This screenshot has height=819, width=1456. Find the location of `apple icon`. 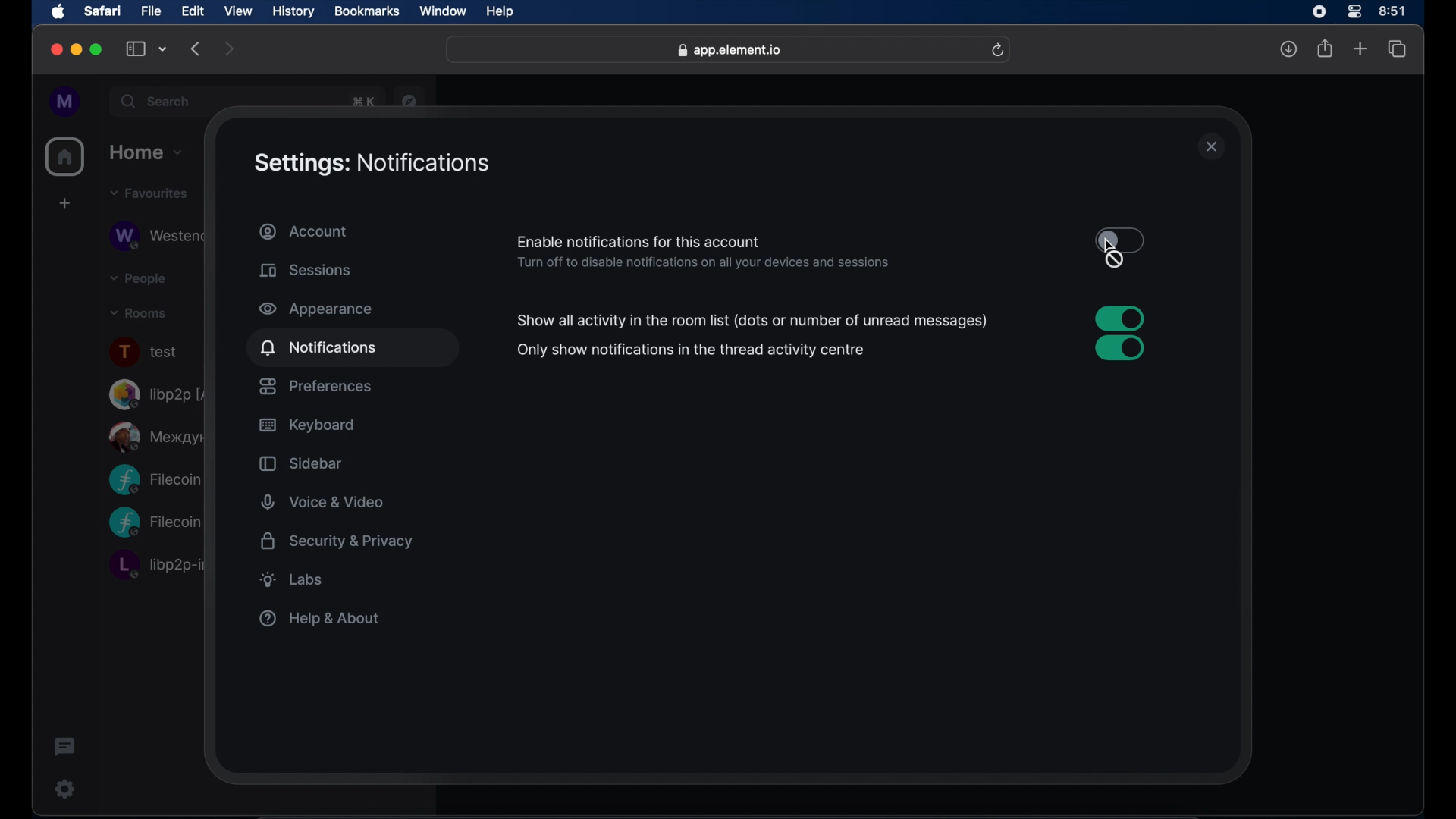

apple icon is located at coordinates (58, 12).